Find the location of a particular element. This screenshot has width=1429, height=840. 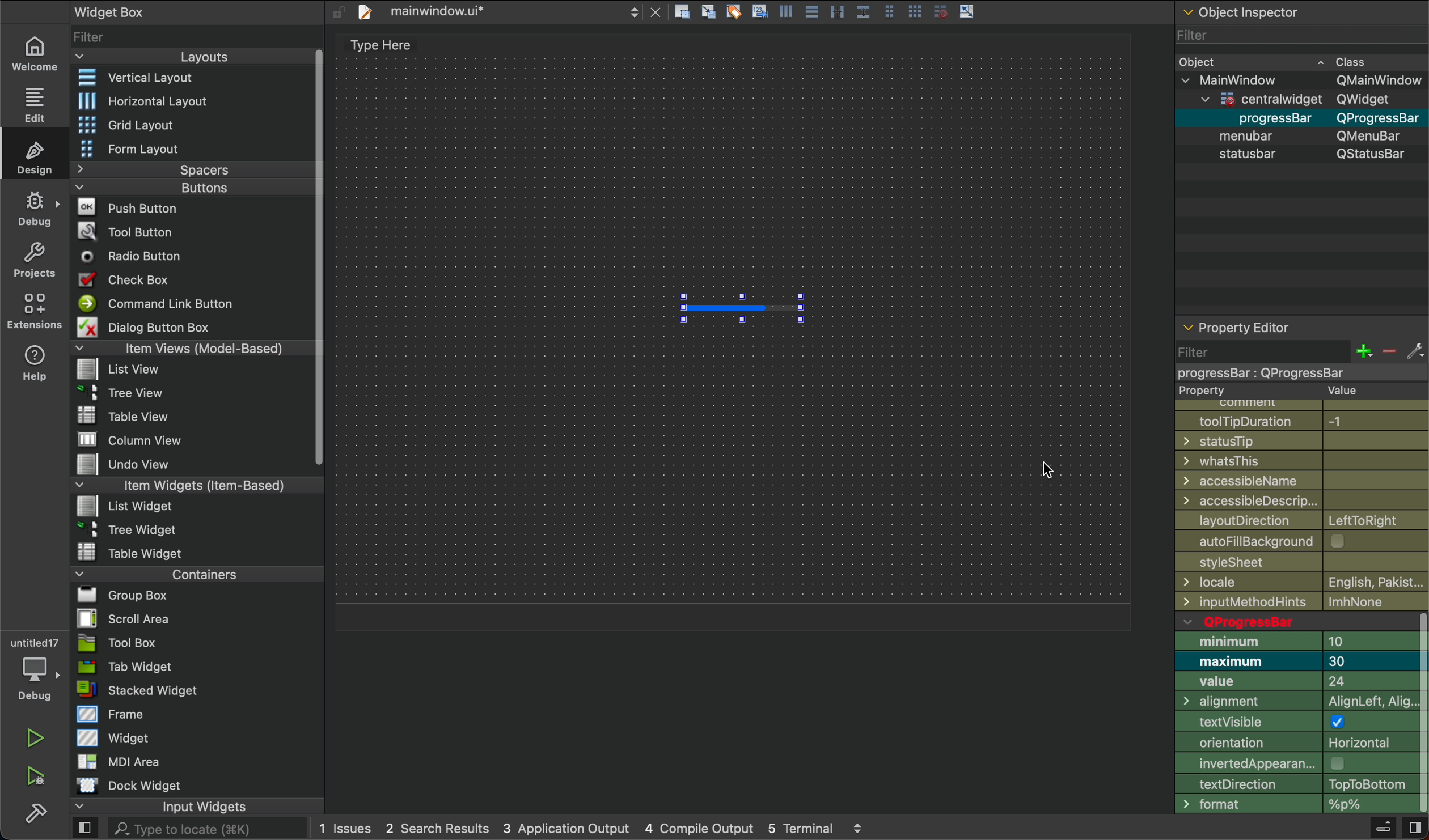

Orientation  is located at coordinates (1293, 745).